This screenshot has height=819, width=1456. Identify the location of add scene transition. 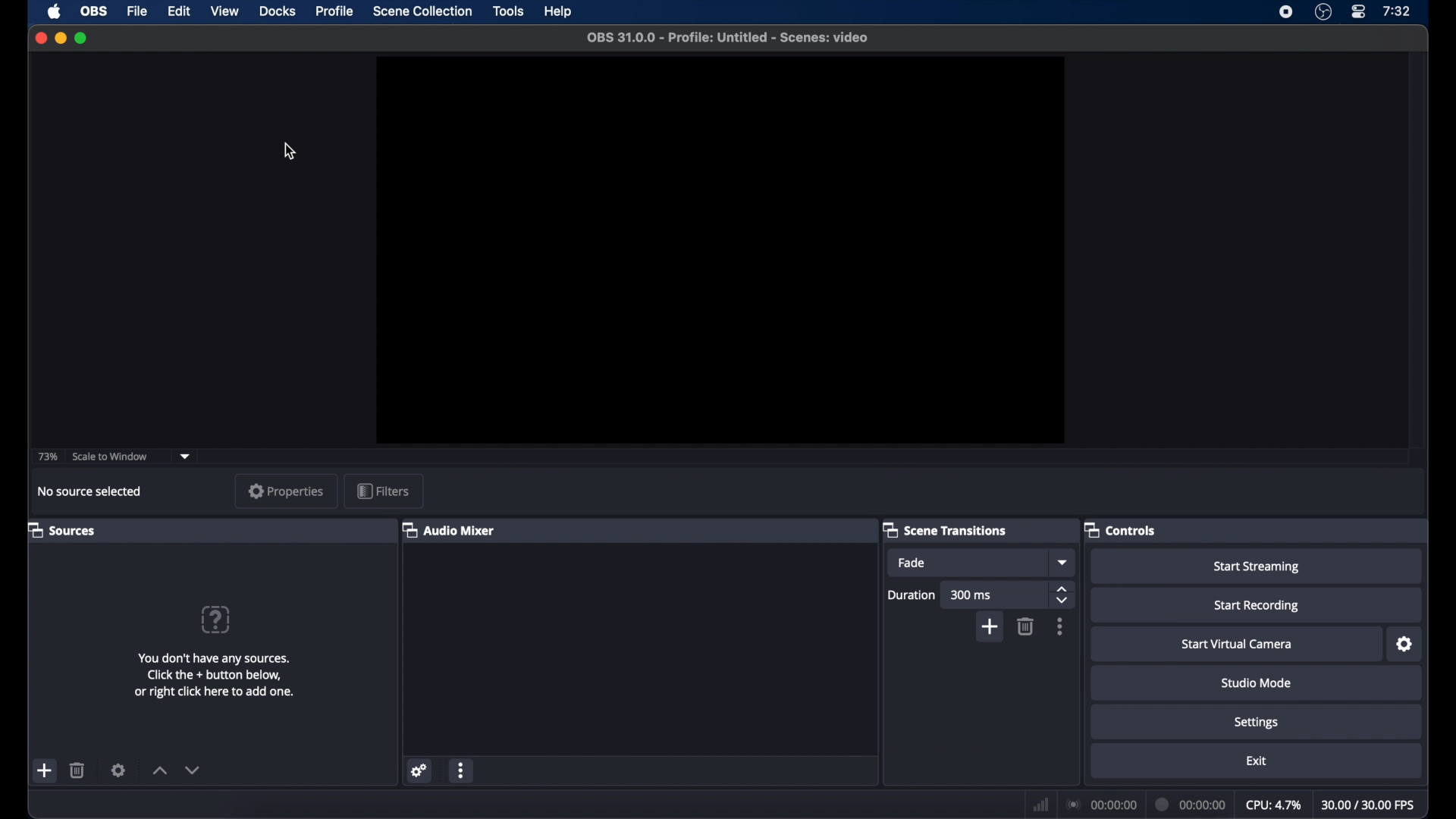
(991, 629).